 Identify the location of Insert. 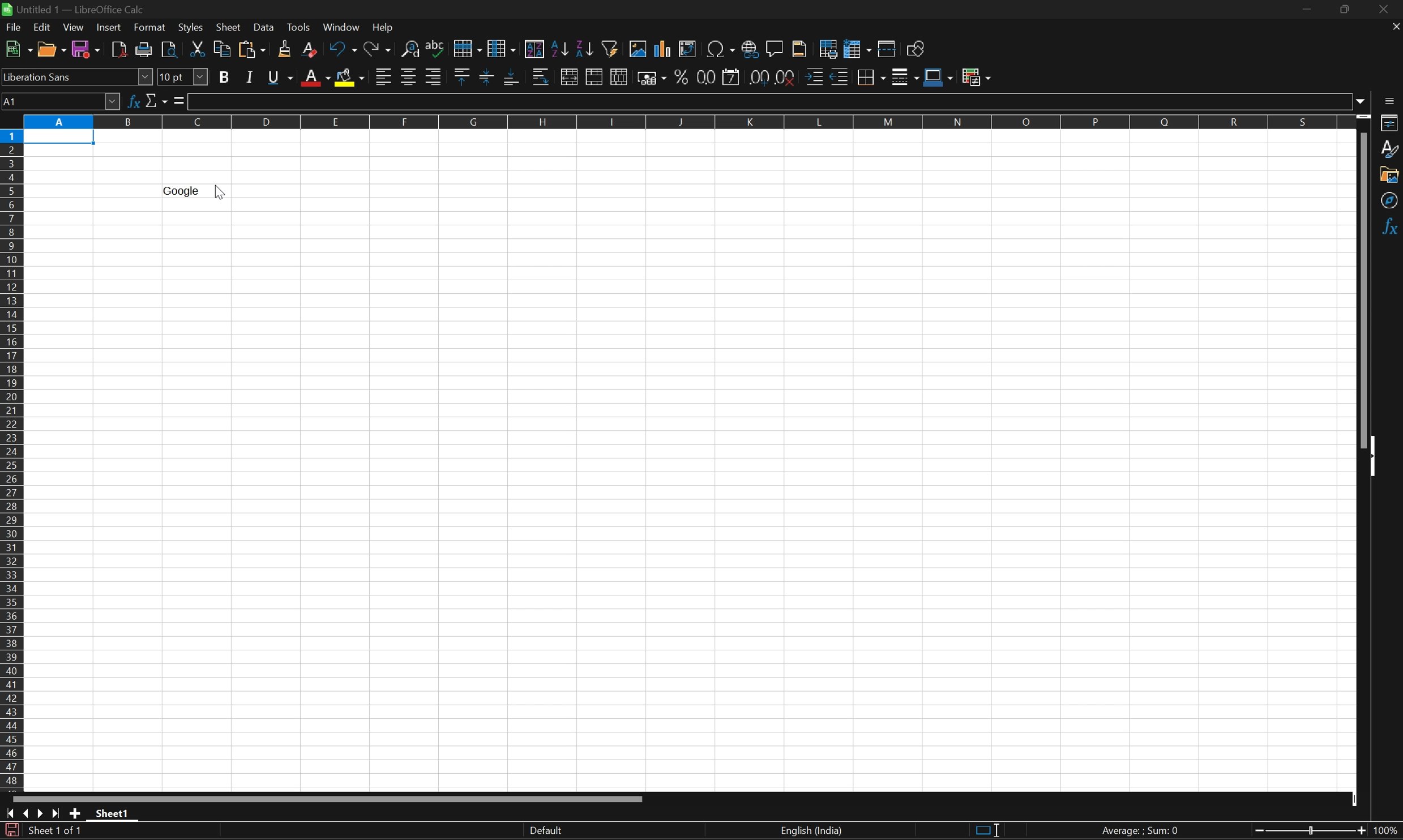
(110, 27).